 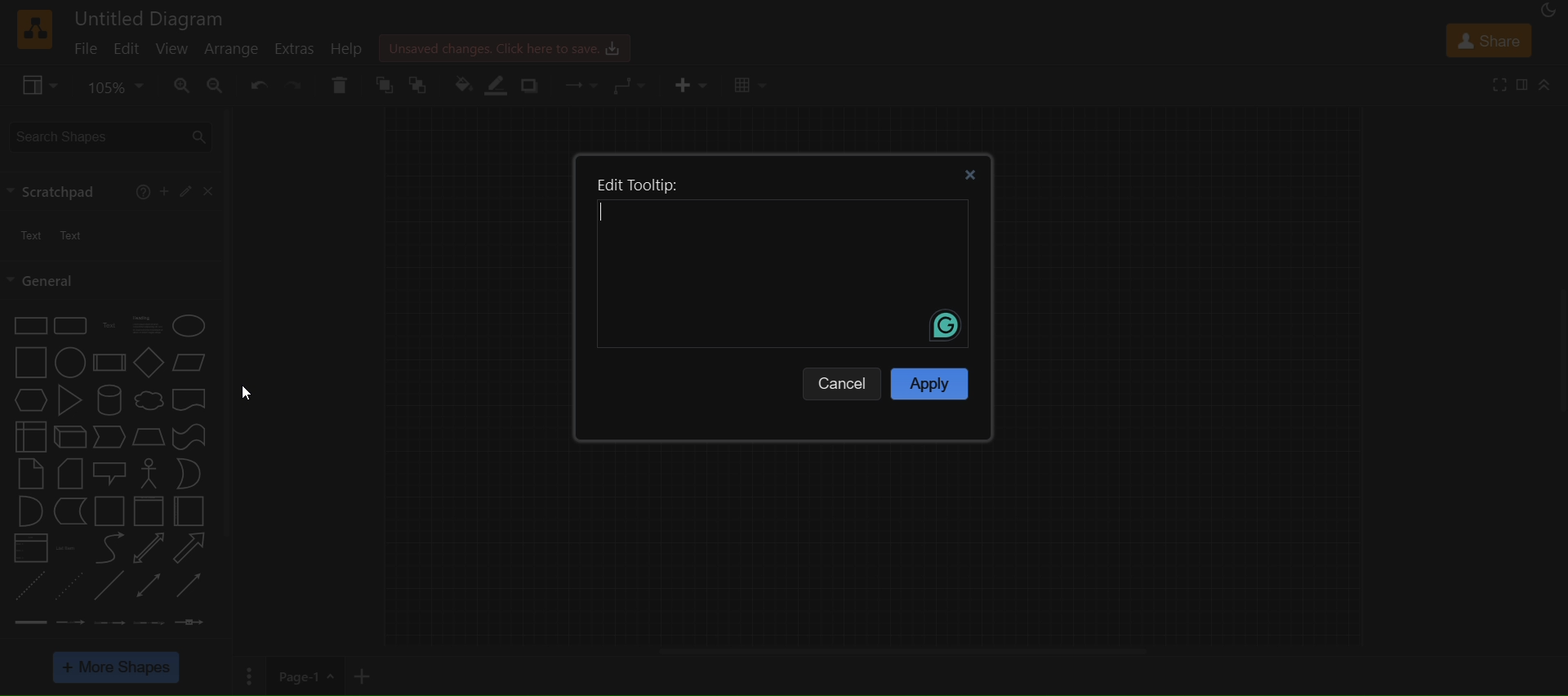 What do you see at coordinates (109, 473) in the screenshot?
I see `callout` at bounding box center [109, 473].